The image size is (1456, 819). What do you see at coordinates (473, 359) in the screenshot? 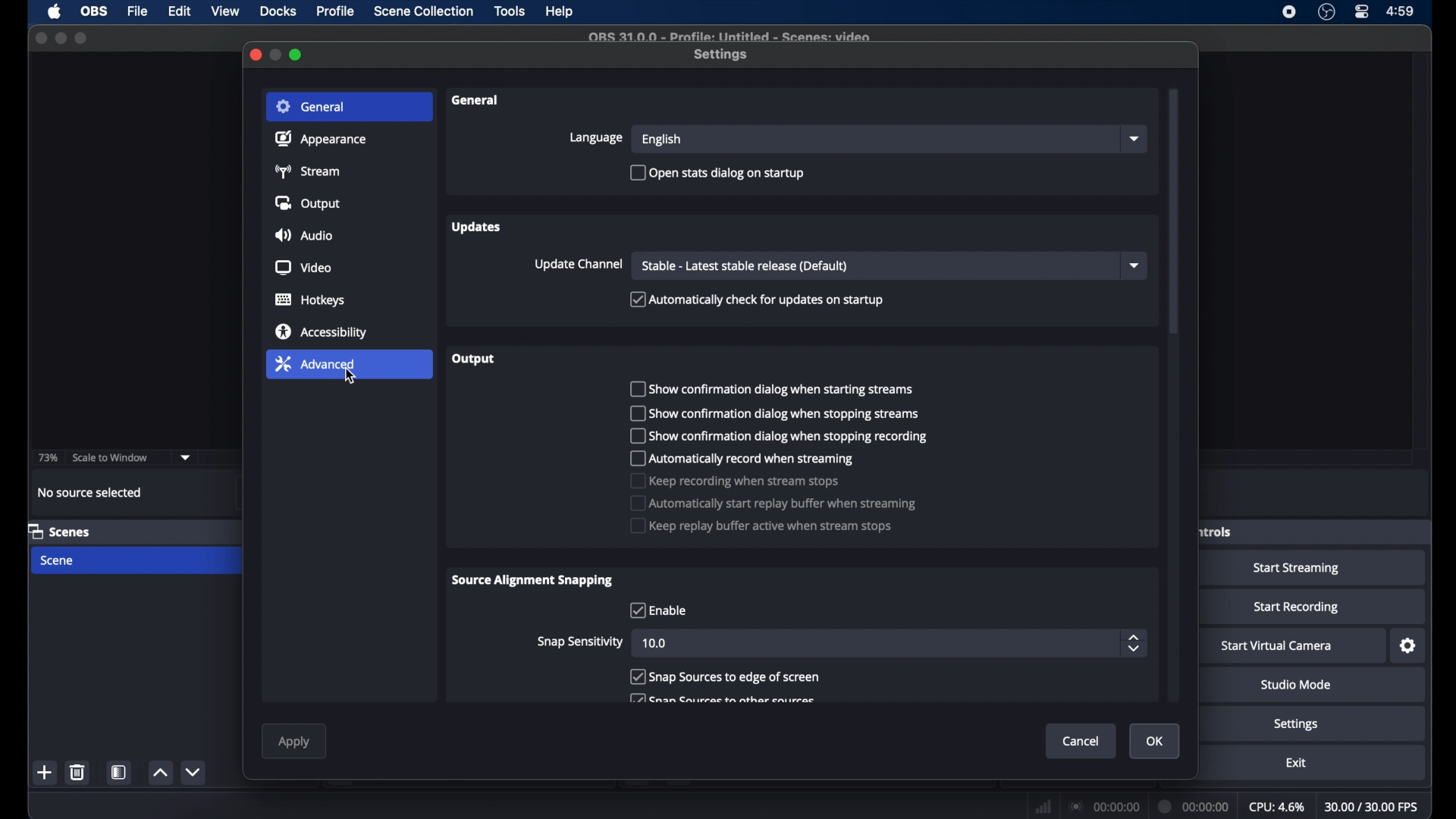
I see `output` at bounding box center [473, 359].